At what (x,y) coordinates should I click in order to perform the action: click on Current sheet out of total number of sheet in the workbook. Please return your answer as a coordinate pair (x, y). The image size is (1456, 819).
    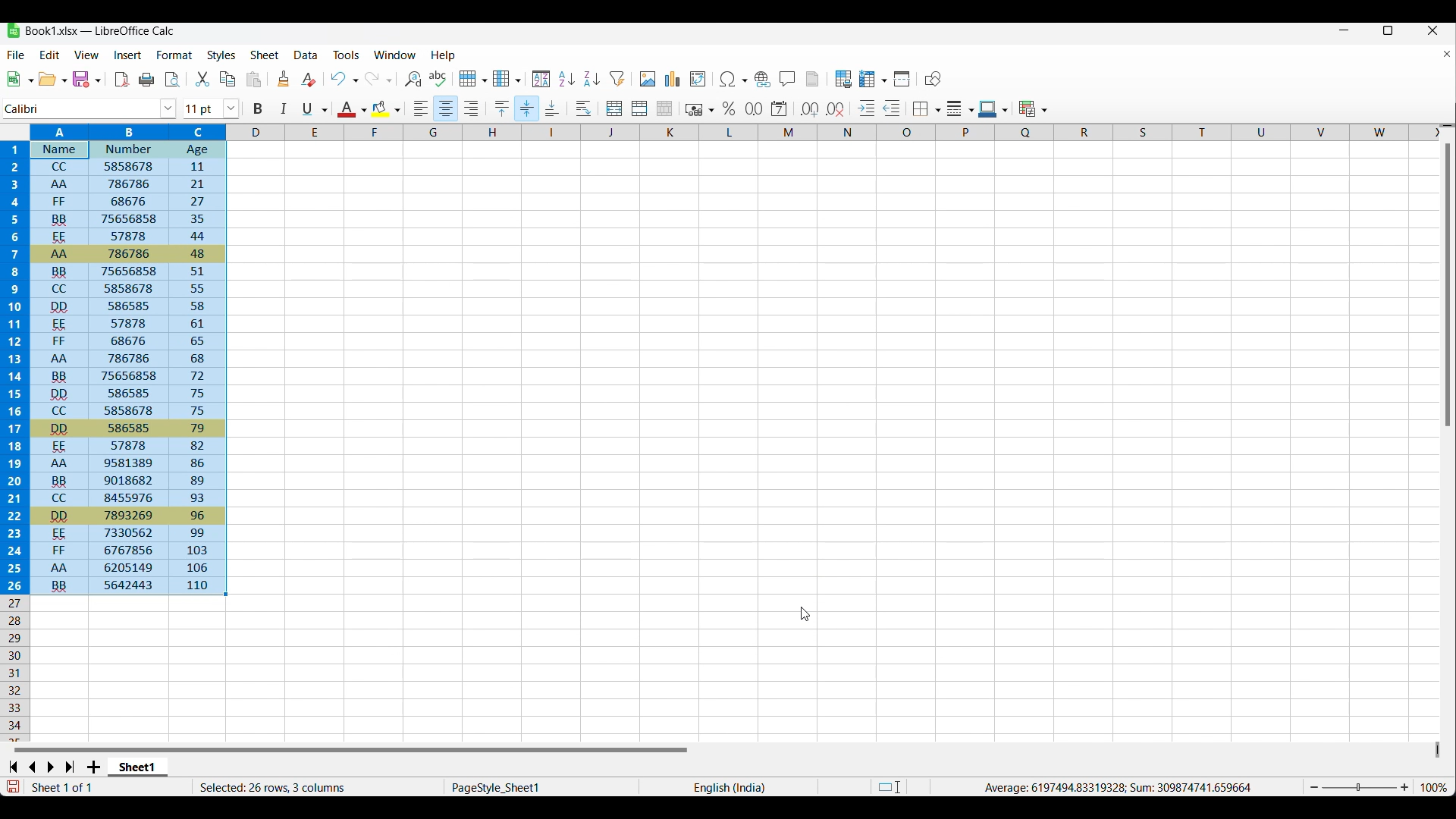
    Looking at the image, I should click on (93, 787).